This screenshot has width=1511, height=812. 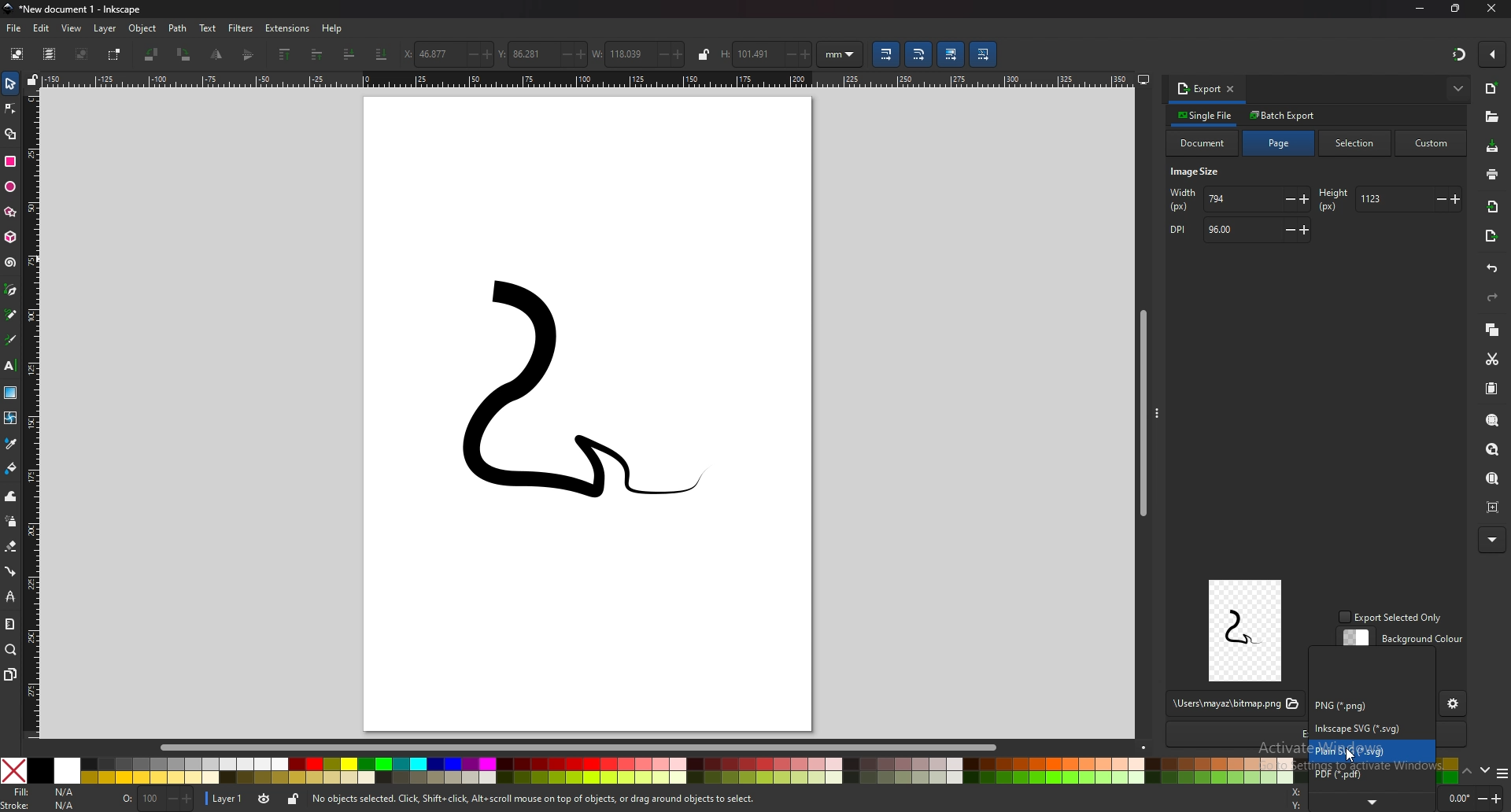 What do you see at coordinates (1459, 88) in the screenshot?
I see `more options` at bounding box center [1459, 88].